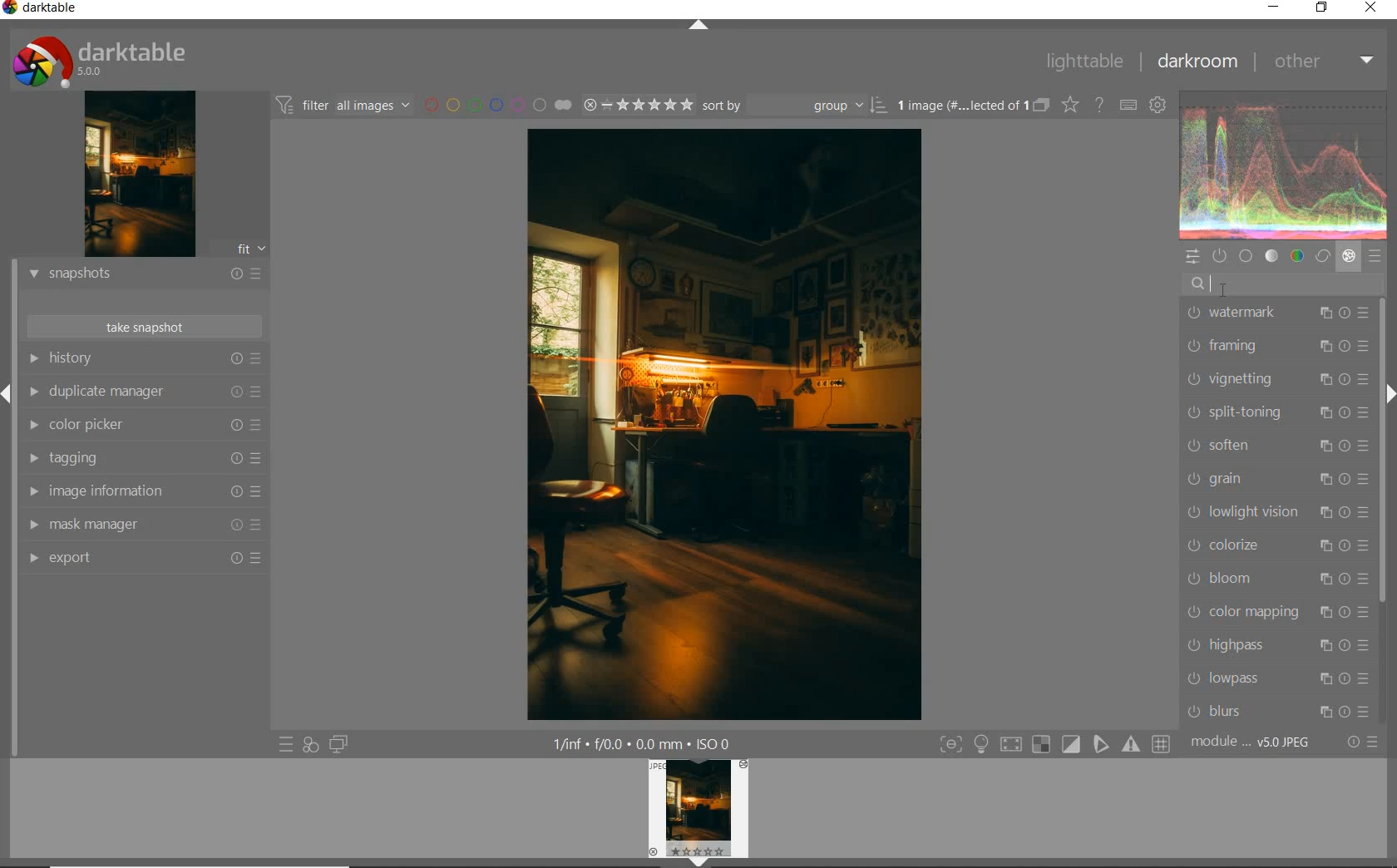  Describe the element at coordinates (1246, 256) in the screenshot. I see `base` at that location.